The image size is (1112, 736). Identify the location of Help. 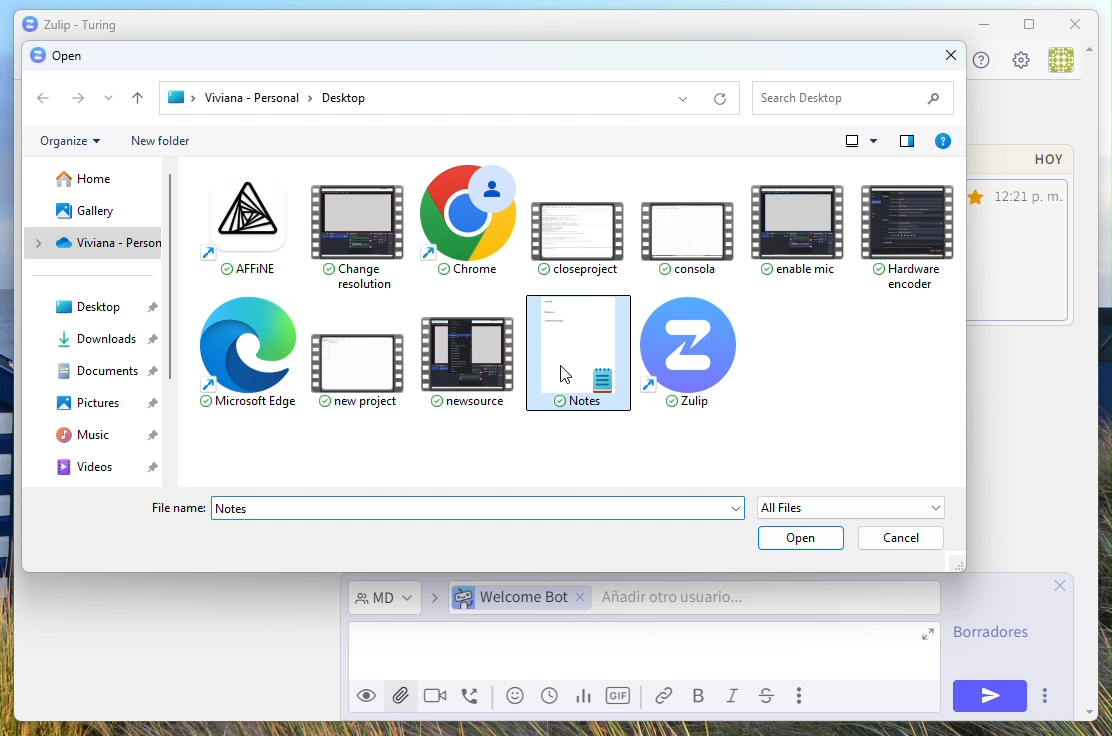
(942, 141).